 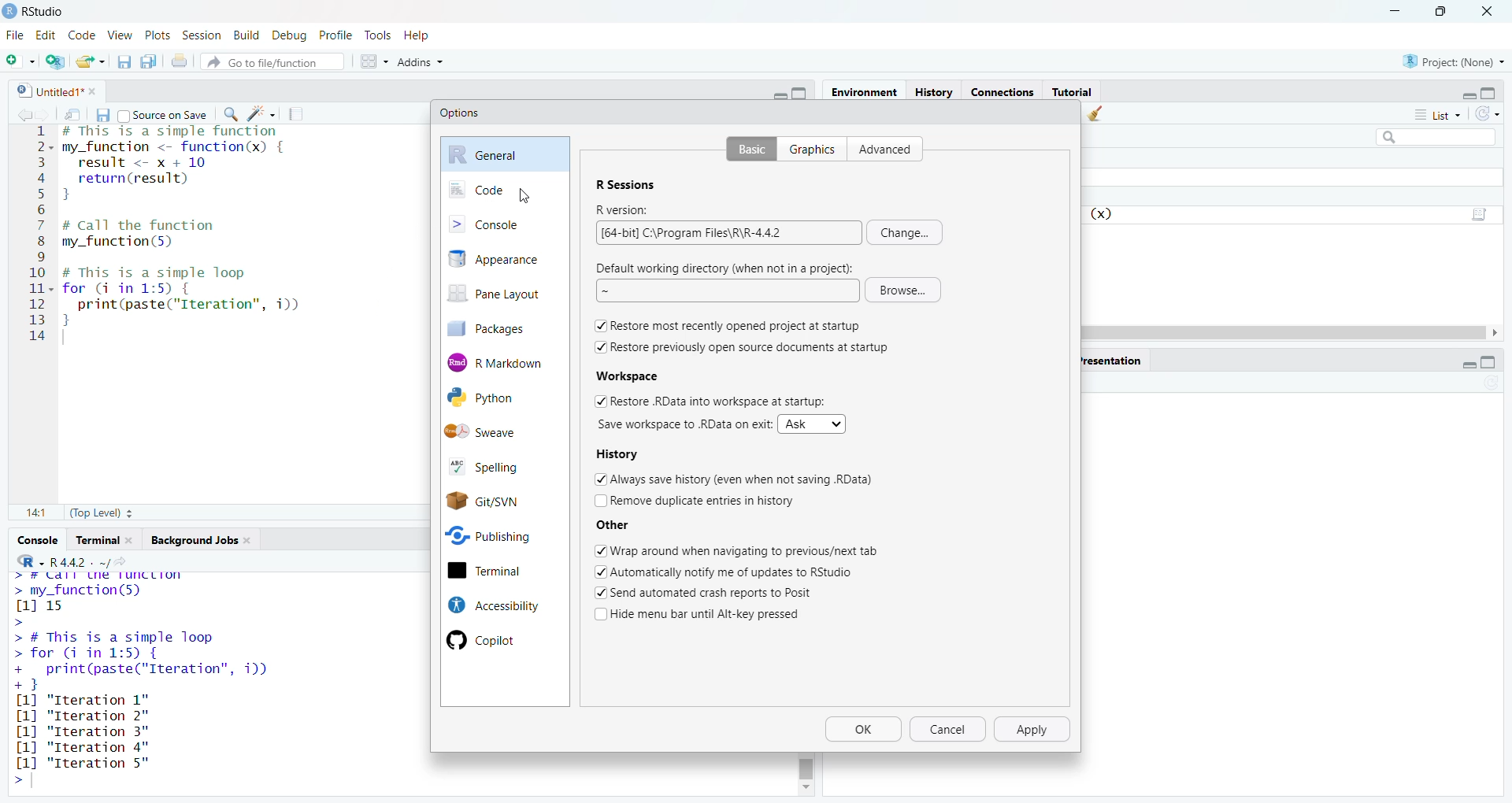 I want to click on Send automated crash reports to Posit, so click(x=704, y=590).